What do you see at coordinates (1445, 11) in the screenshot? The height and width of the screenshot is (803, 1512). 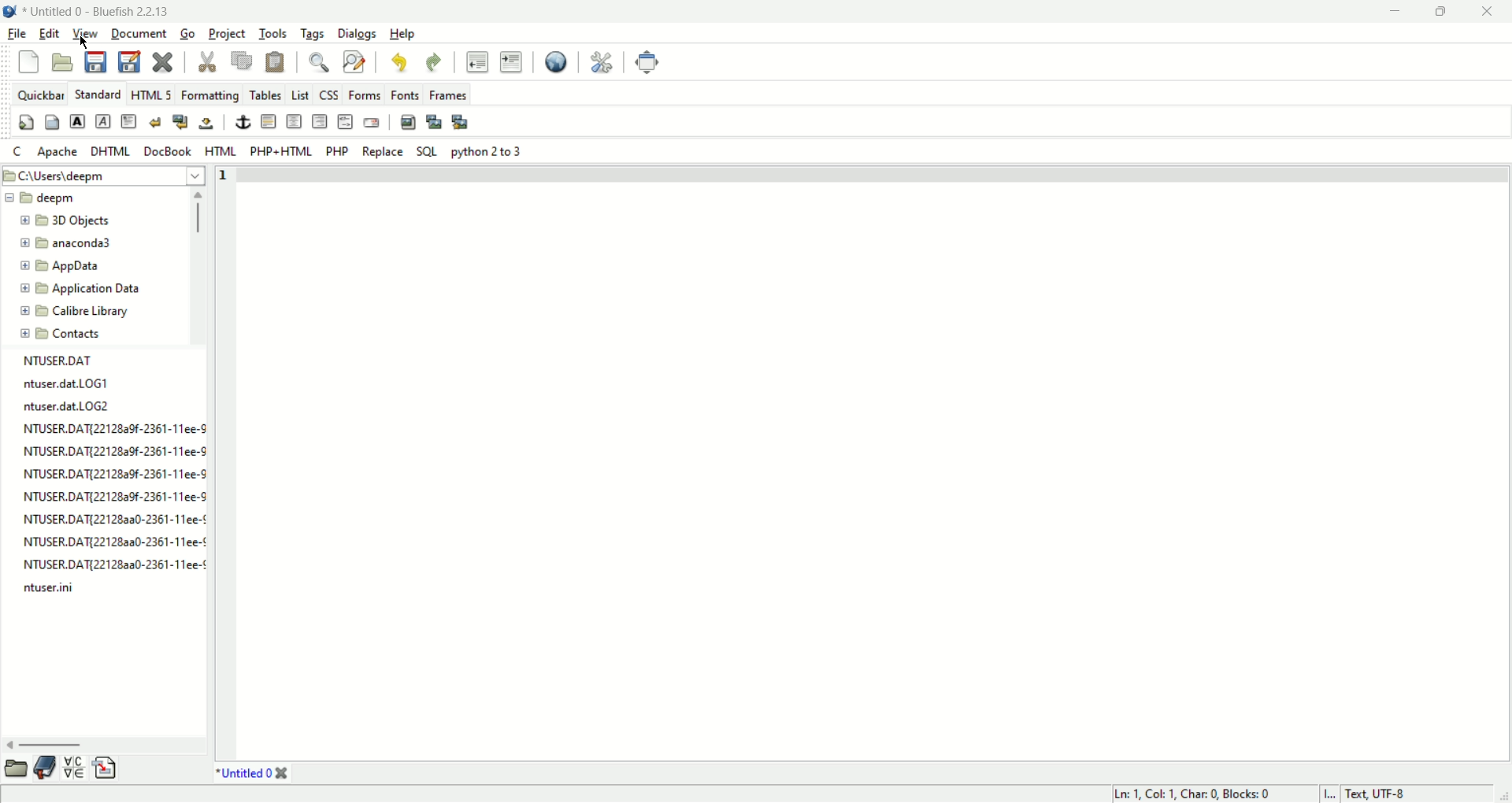 I see `maximize` at bounding box center [1445, 11].